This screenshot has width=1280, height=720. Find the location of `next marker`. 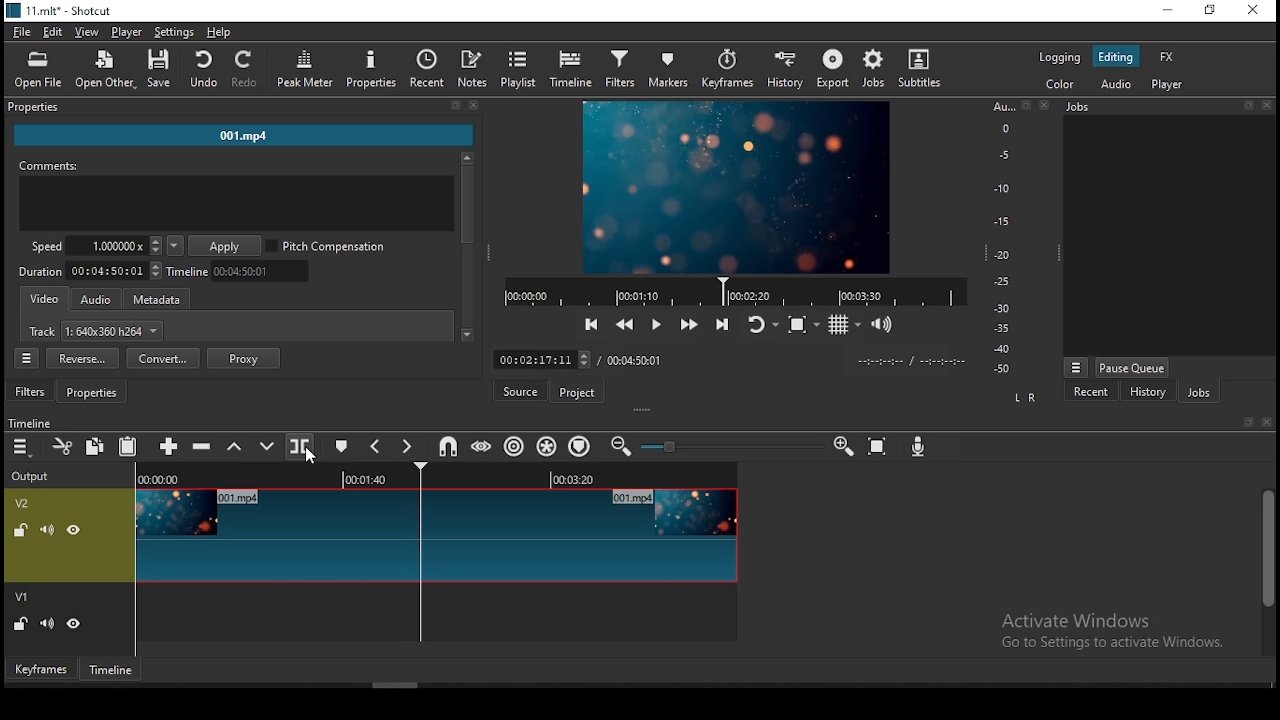

next marker is located at coordinates (407, 448).